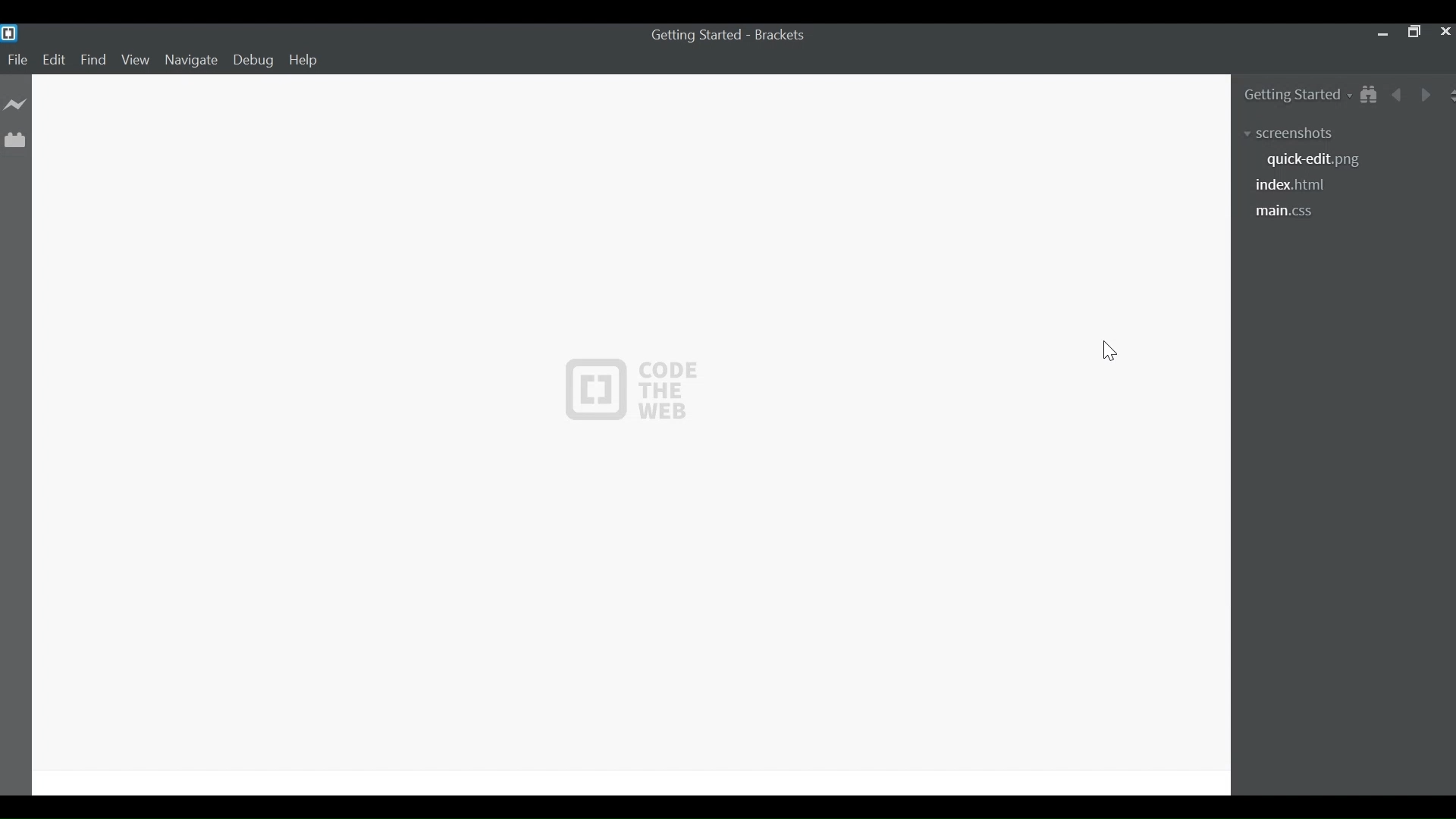  Describe the element at coordinates (1313, 161) in the screenshot. I see `png file` at that location.